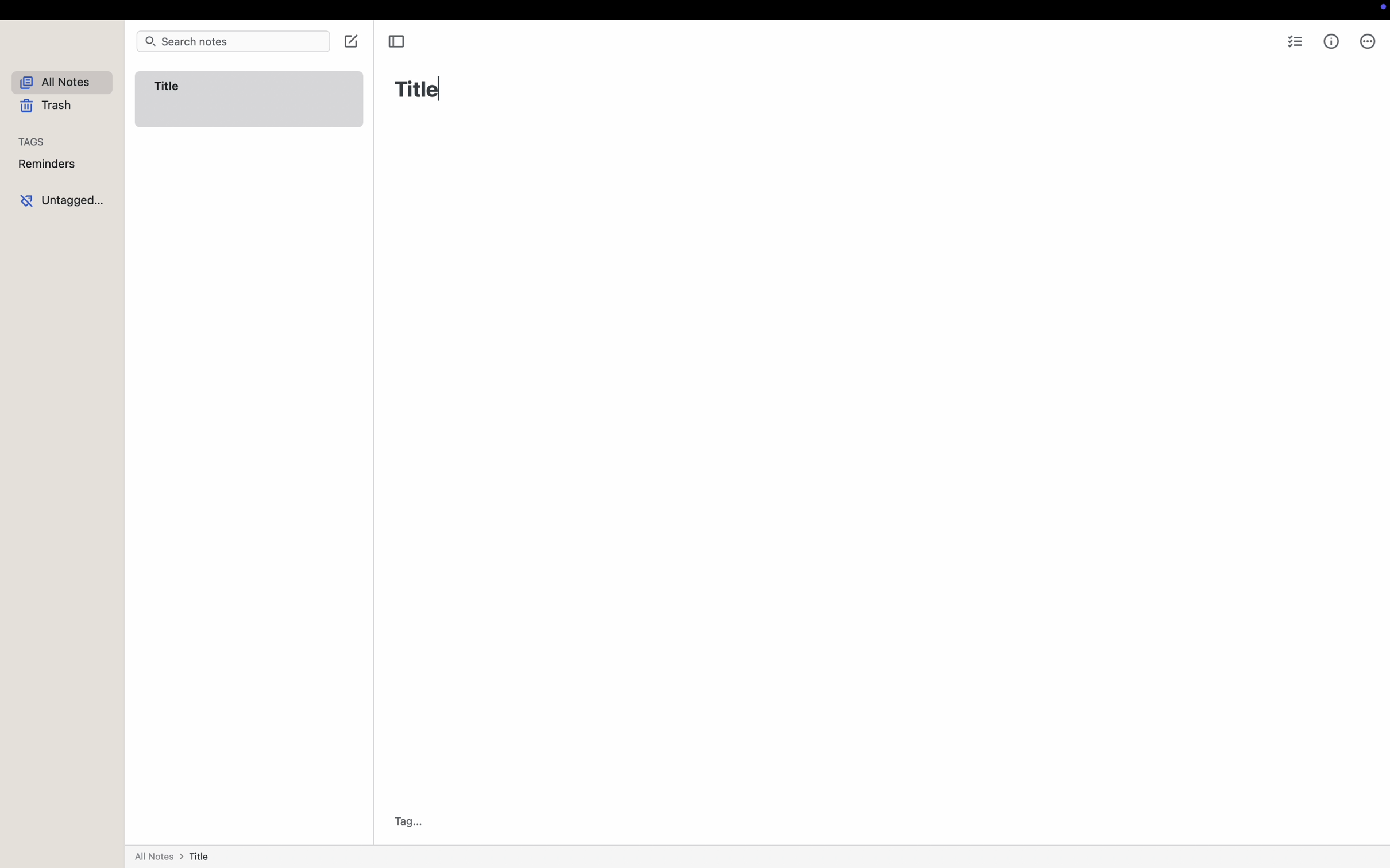  Describe the element at coordinates (1368, 41) in the screenshot. I see `more options` at that location.